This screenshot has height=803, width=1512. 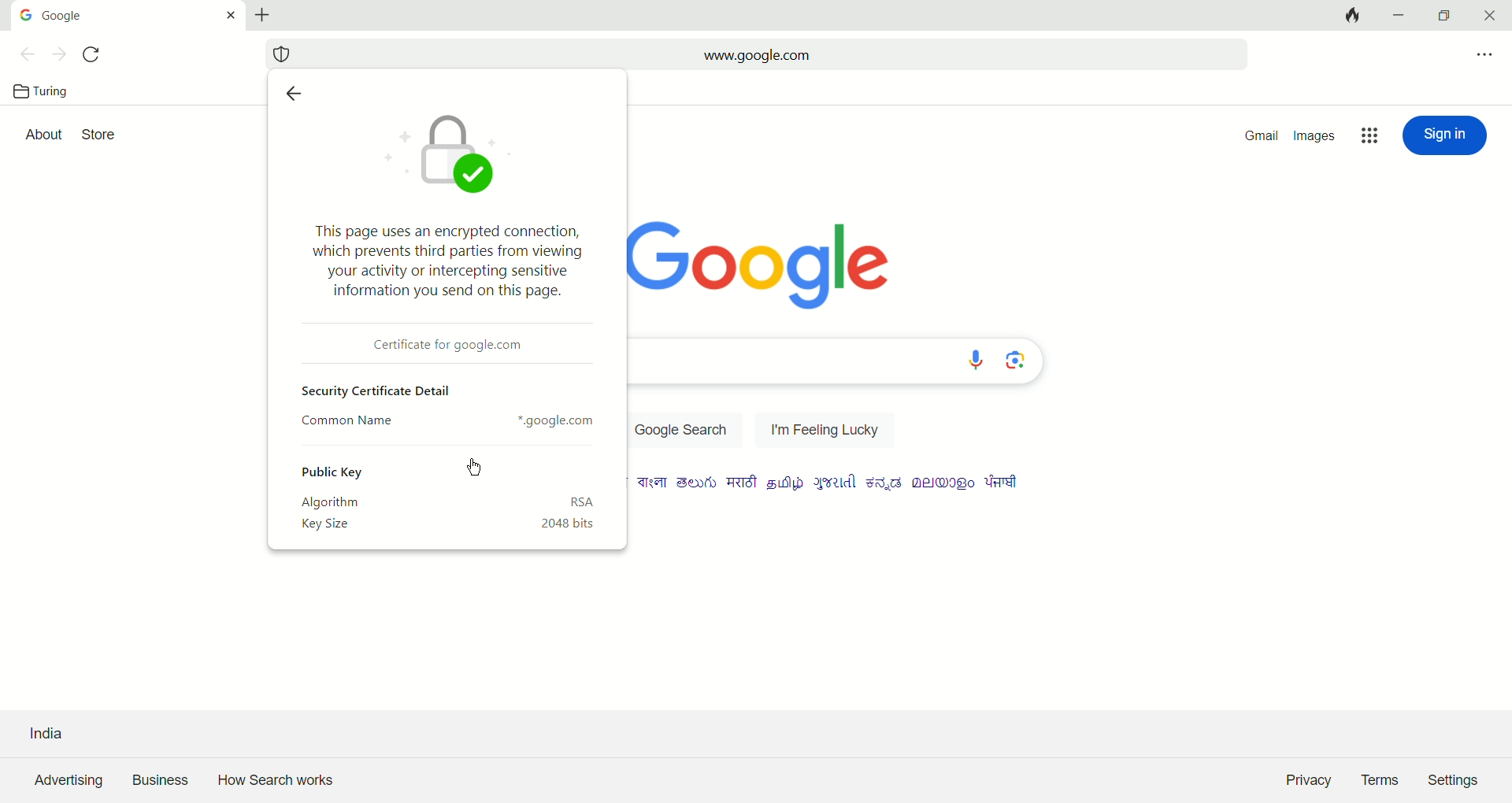 What do you see at coordinates (1443, 135) in the screenshot?
I see `sign in` at bounding box center [1443, 135].